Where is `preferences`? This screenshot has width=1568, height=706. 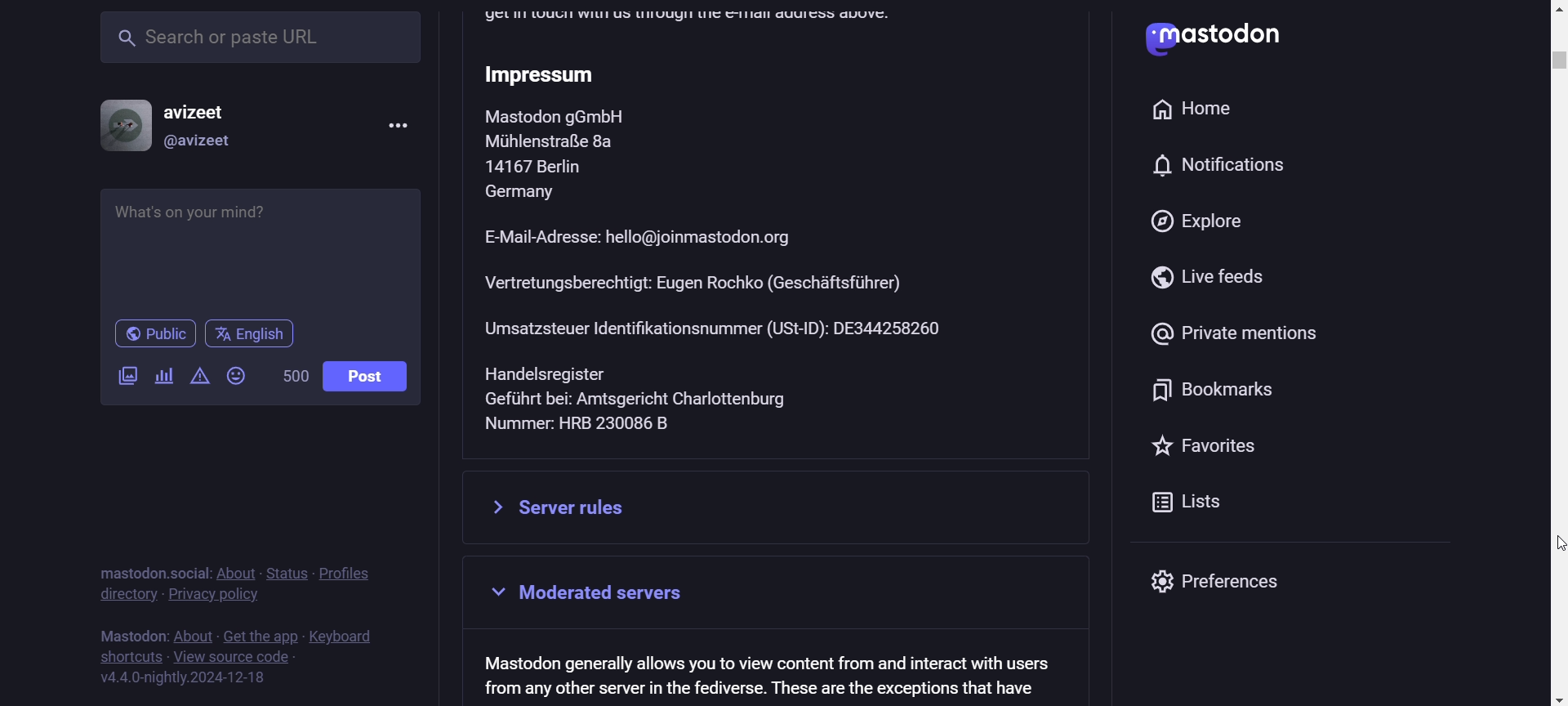 preferences is located at coordinates (1237, 584).